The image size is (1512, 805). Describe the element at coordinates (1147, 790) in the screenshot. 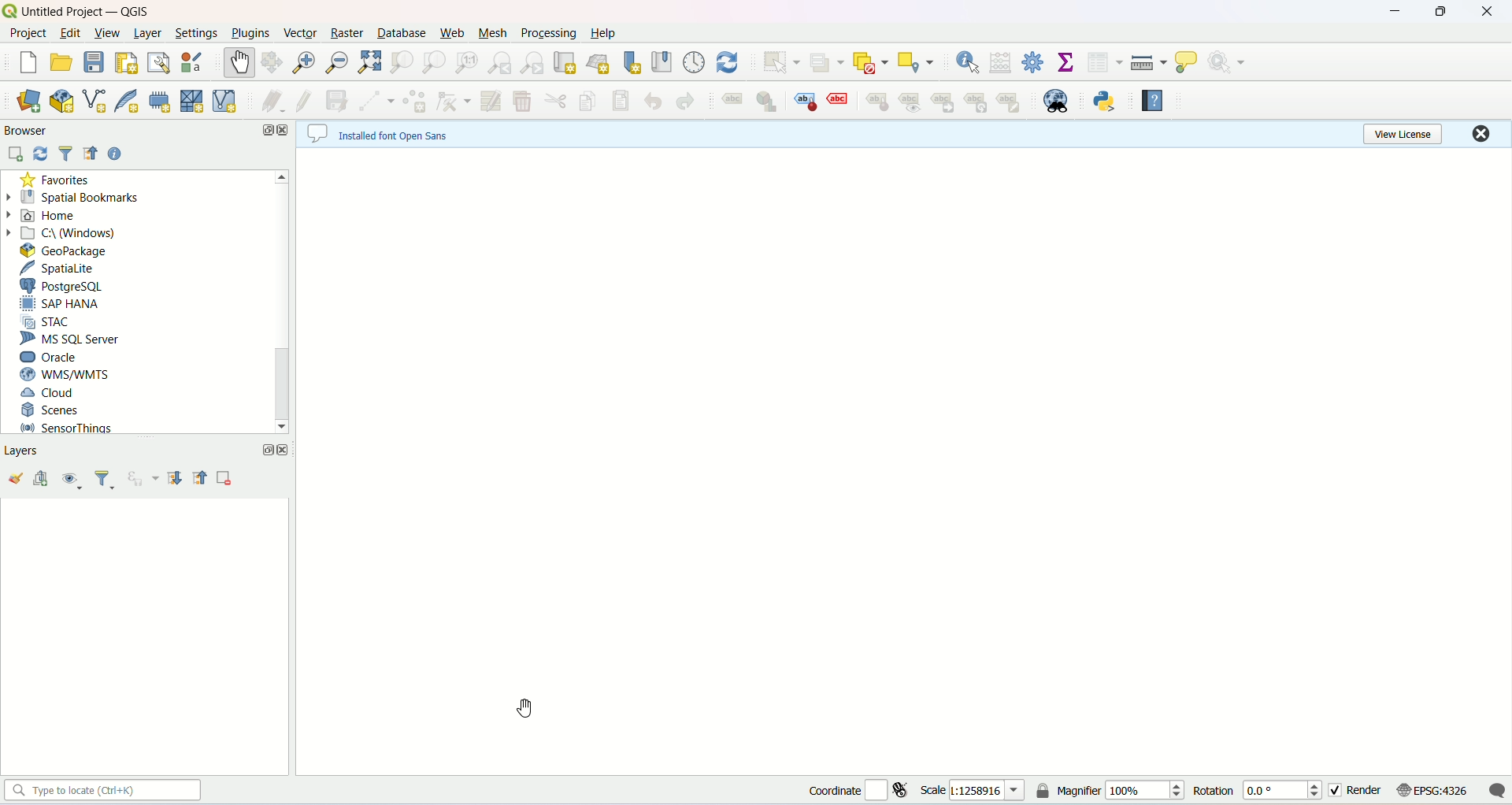

I see `100%` at that location.